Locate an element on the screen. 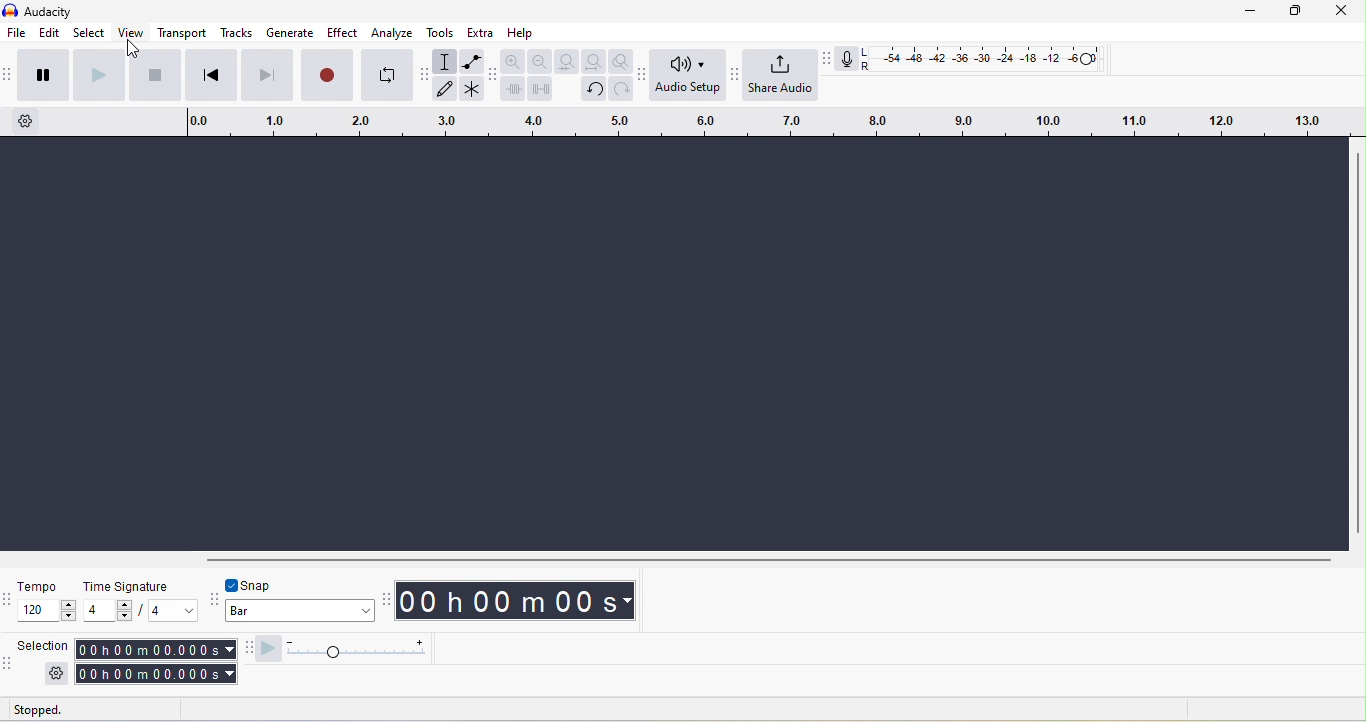 This screenshot has width=1366, height=722. record is located at coordinates (326, 75).